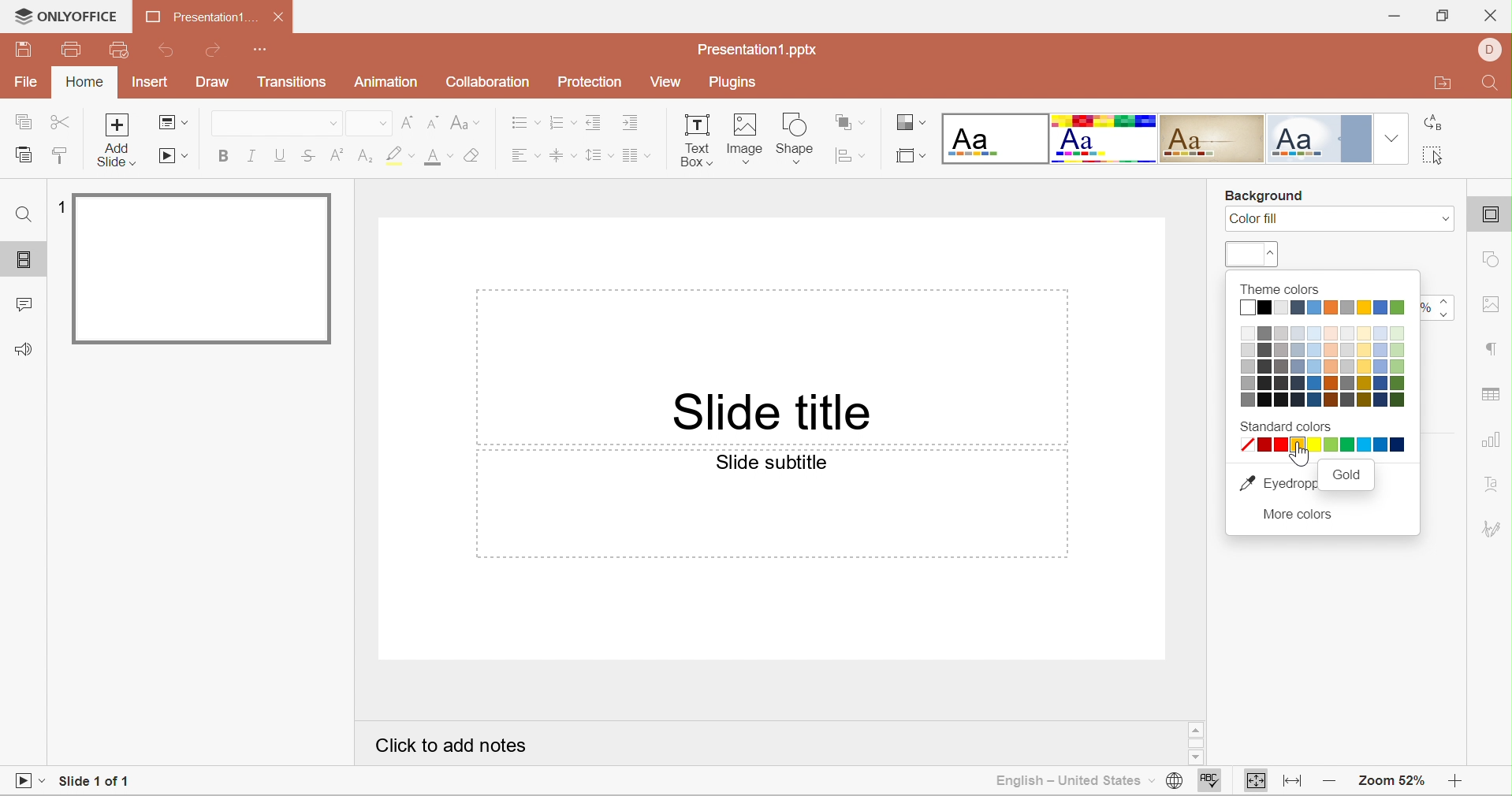 This screenshot has height=796, width=1512. I want to click on Text Art settings, so click(1495, 485).